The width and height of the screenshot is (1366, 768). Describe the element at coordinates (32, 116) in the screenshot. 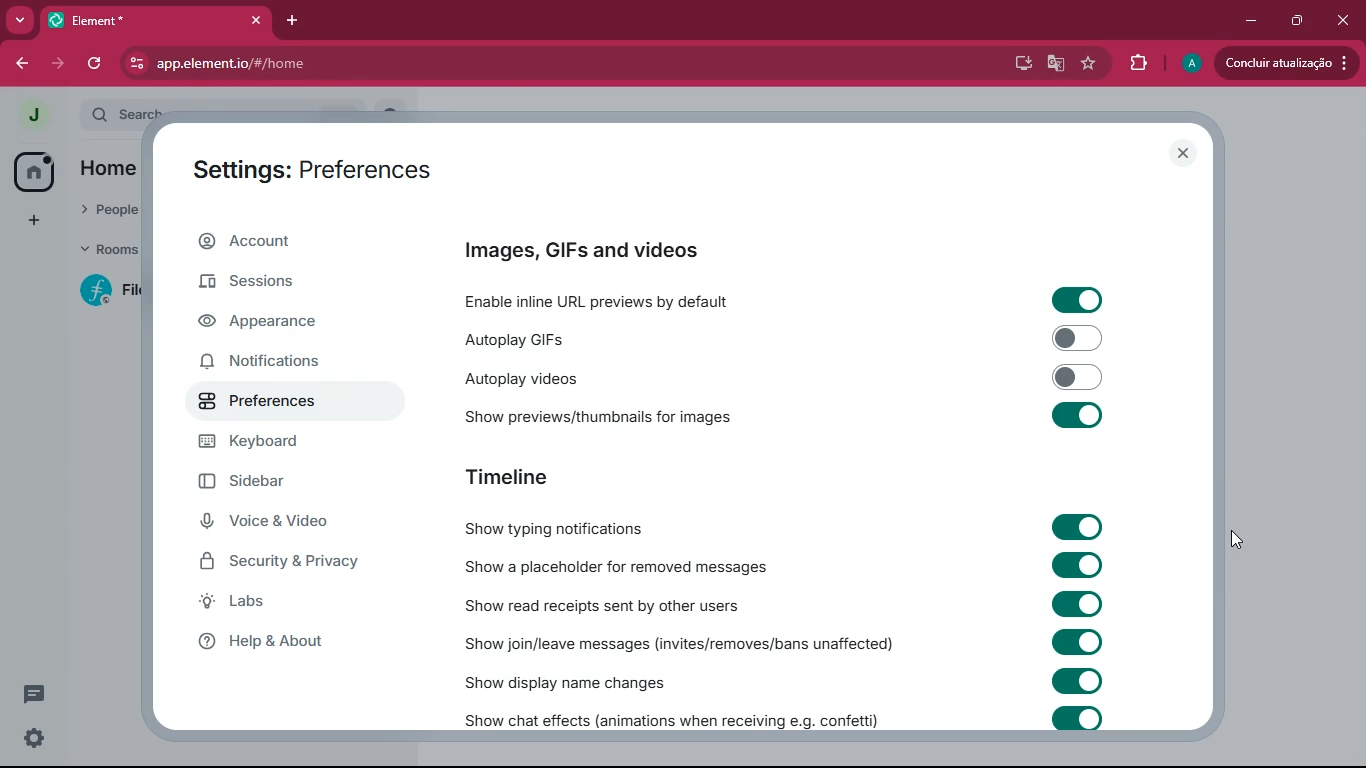

I see `profile picture` at that location.